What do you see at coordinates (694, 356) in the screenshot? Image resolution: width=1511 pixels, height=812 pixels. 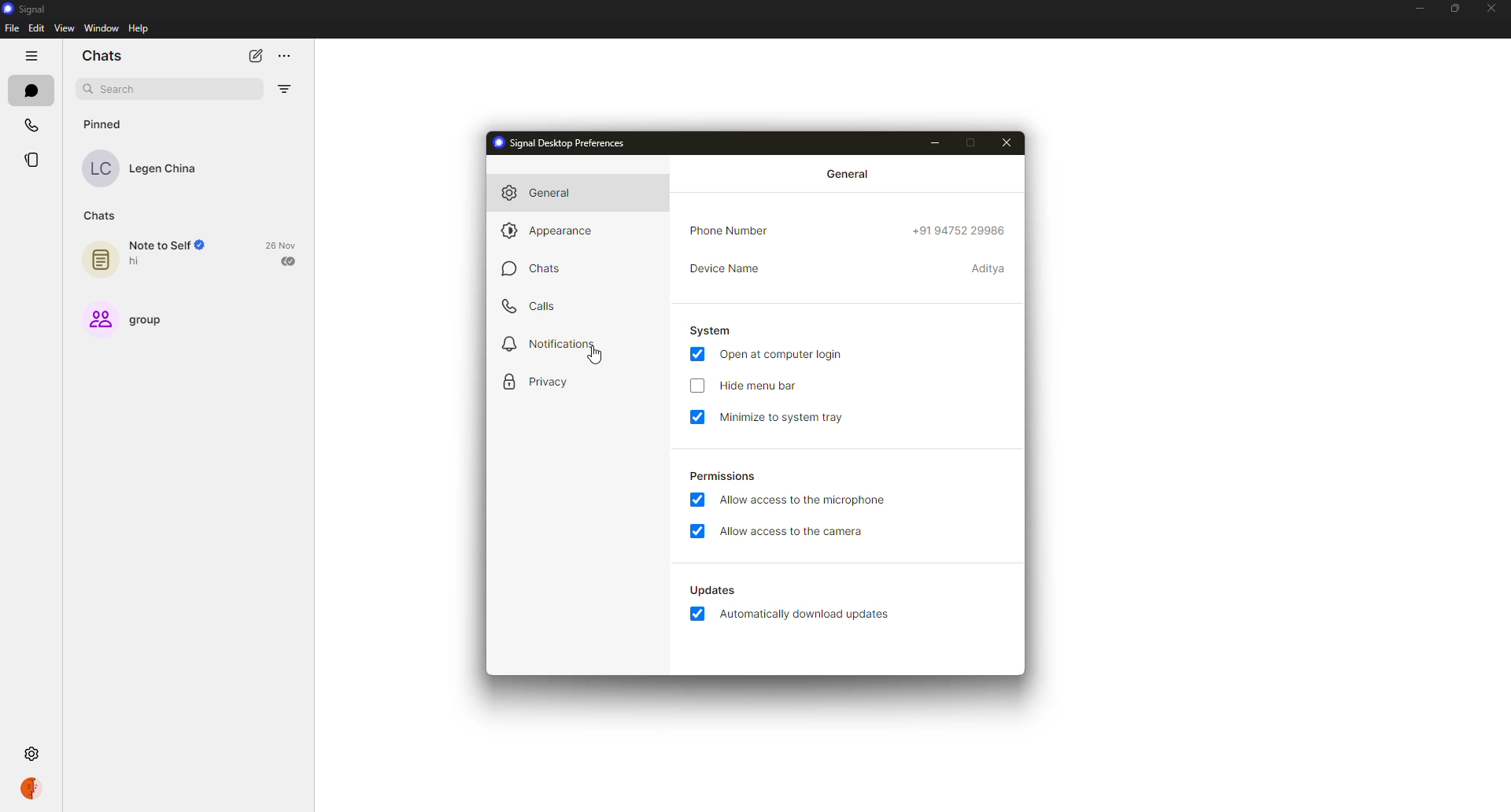 I see `enabled` at bounding box center [694, 356].